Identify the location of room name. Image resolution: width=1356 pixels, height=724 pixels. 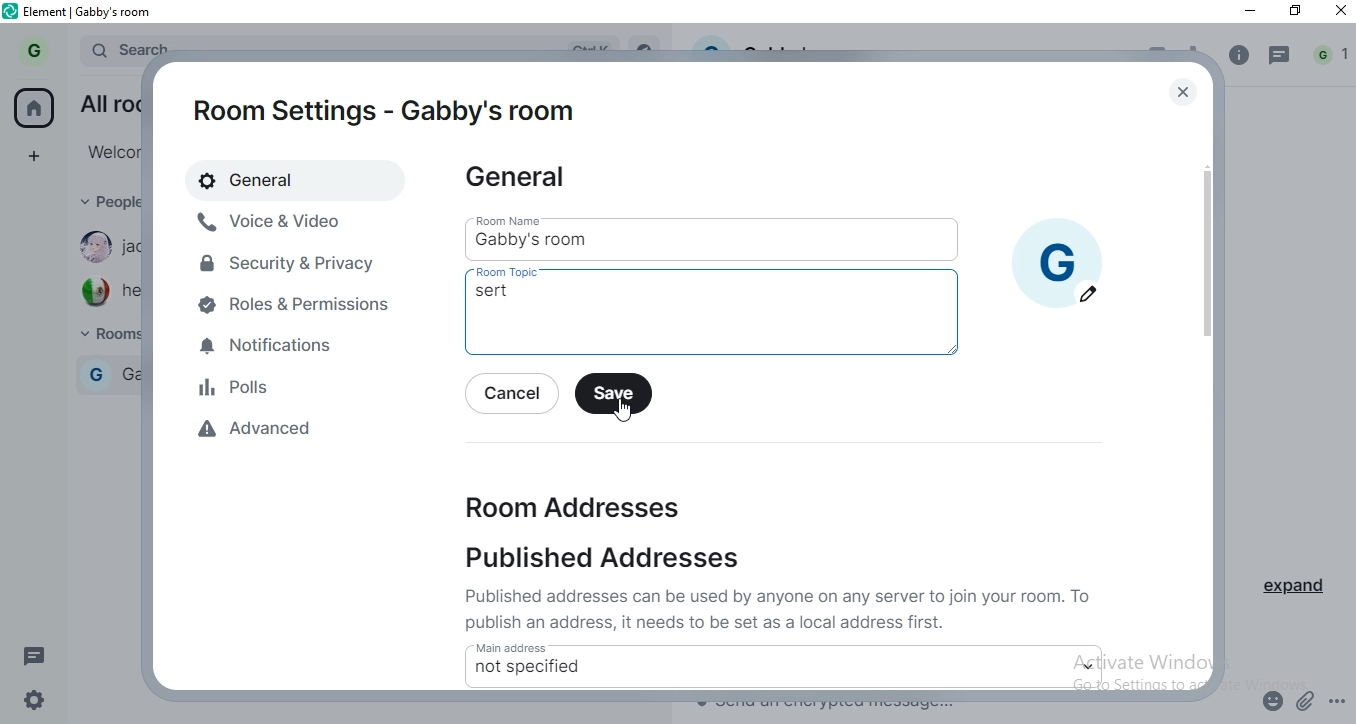
(520, 219).